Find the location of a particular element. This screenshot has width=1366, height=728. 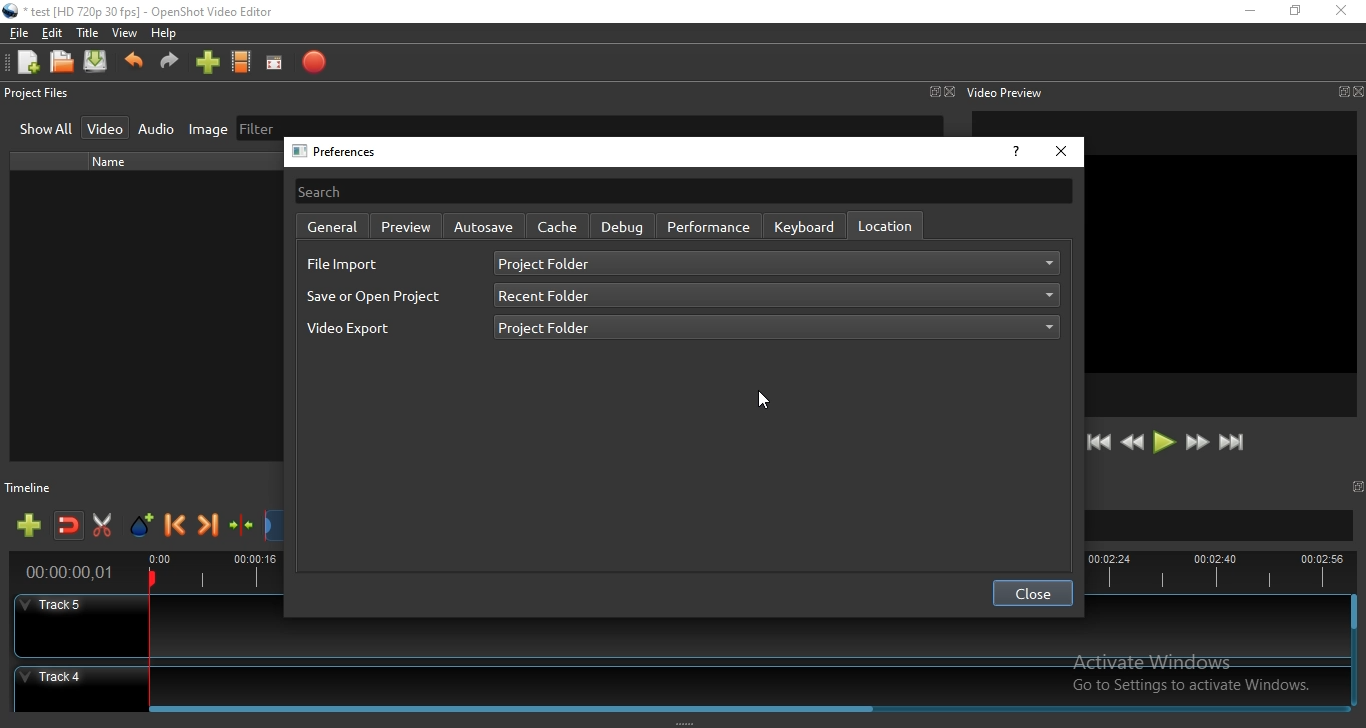

Openshot Desktop icon is located at coordinates (11, 11).